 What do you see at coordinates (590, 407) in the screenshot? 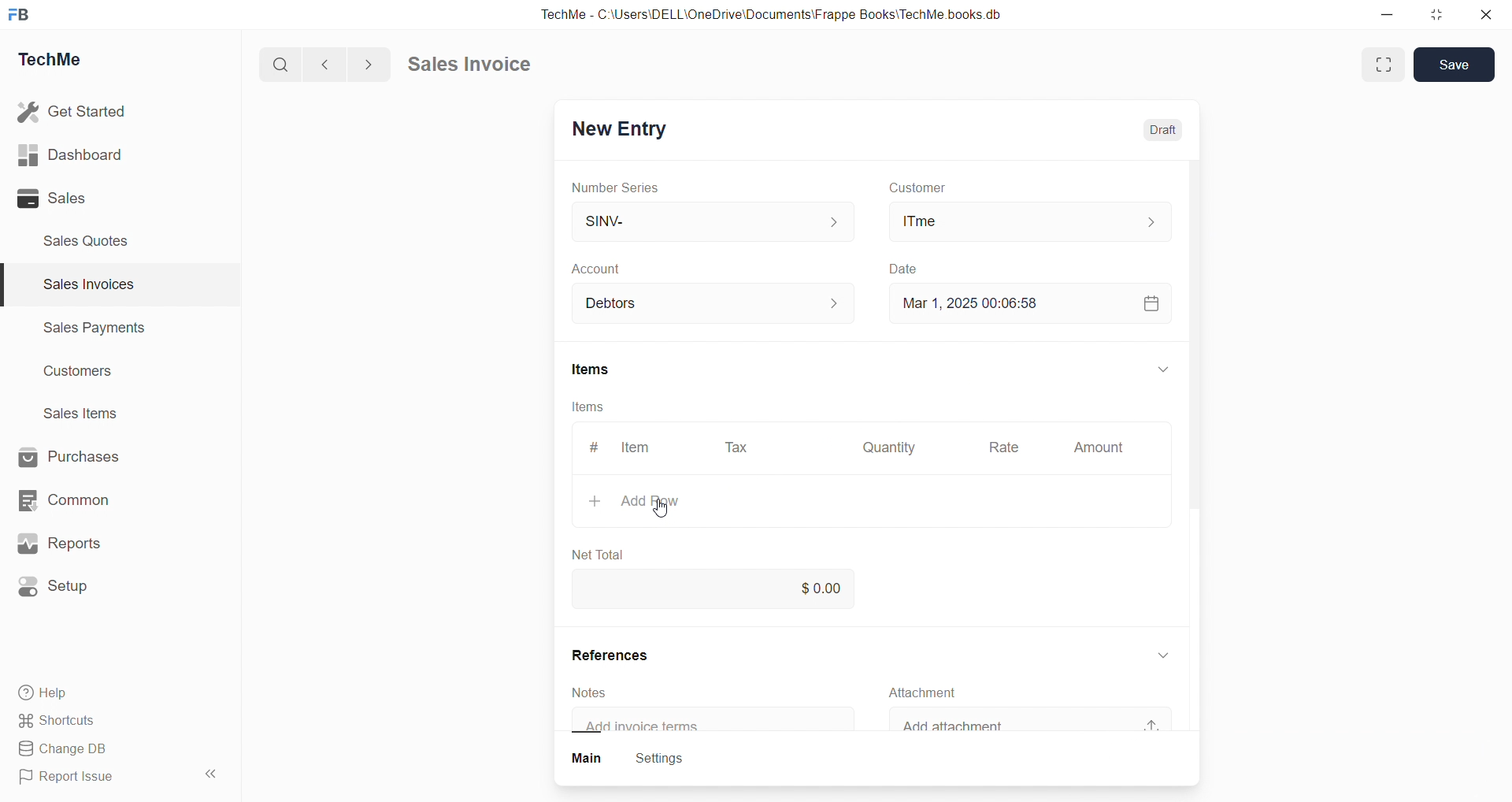
I see `Items` at bounding box center [590, 407].